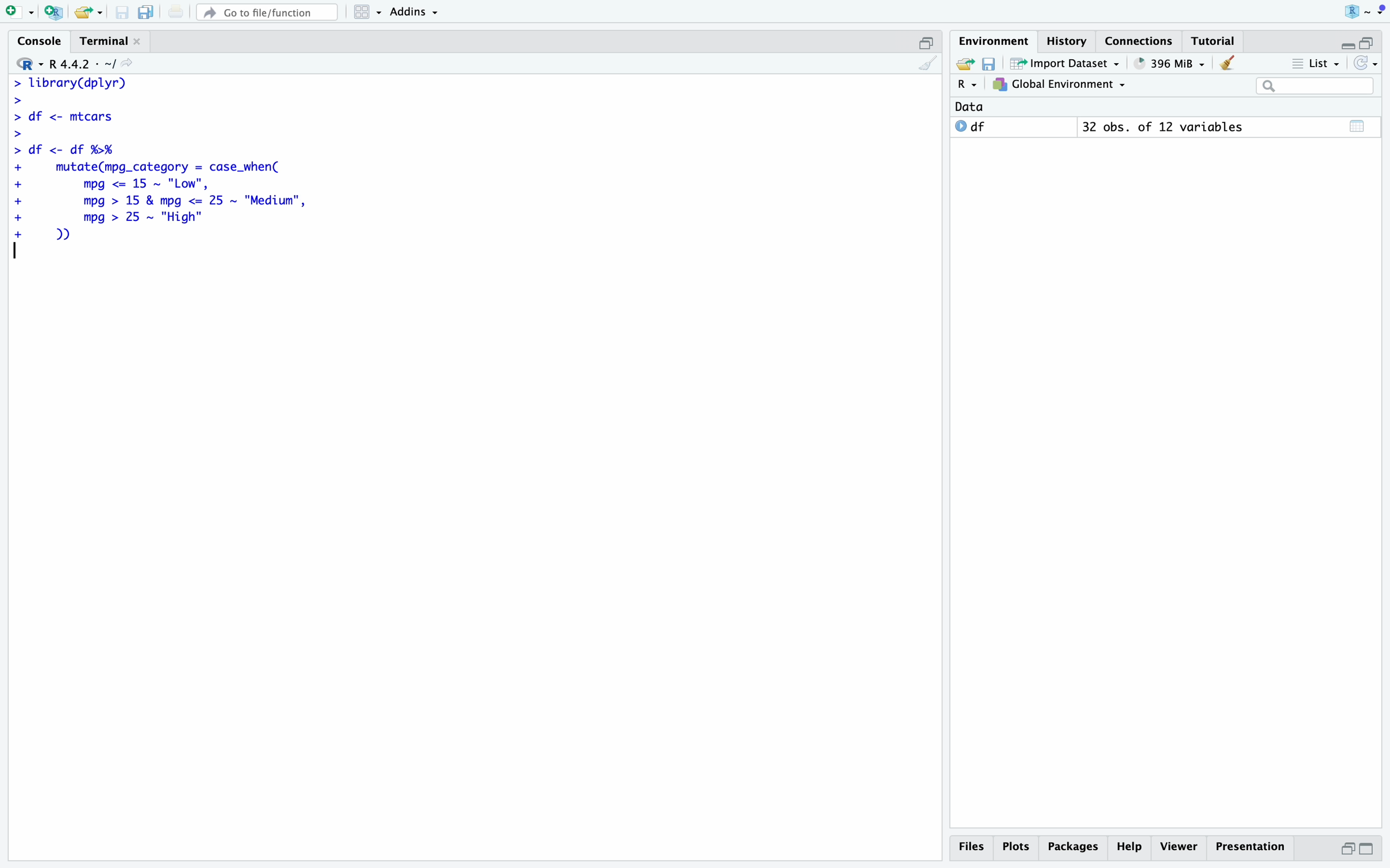  What do you see at coordinates (928, 63) in the screenshot?
I see `clean` at bounding box center [928, 63].